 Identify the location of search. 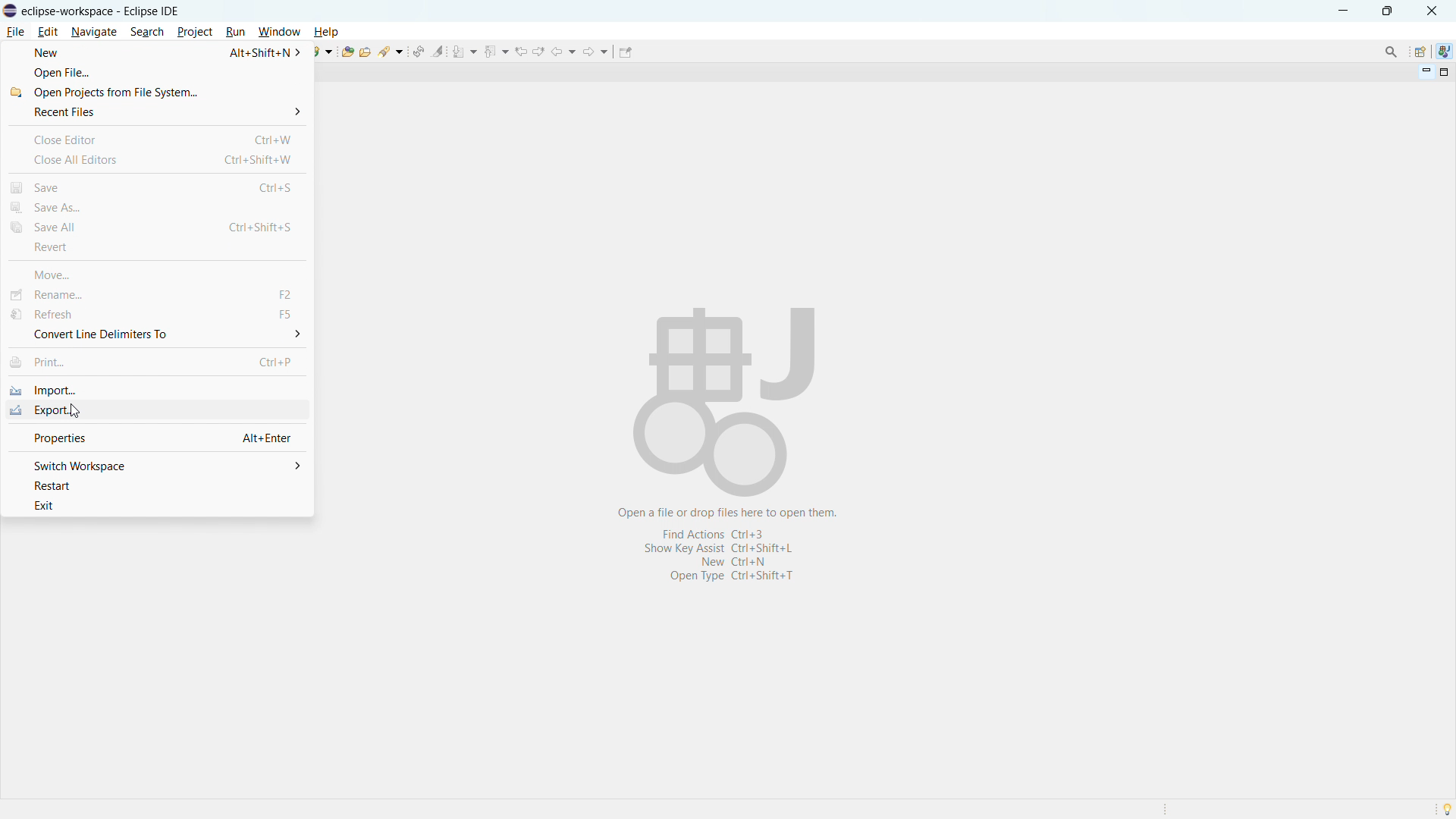
(391, 50).